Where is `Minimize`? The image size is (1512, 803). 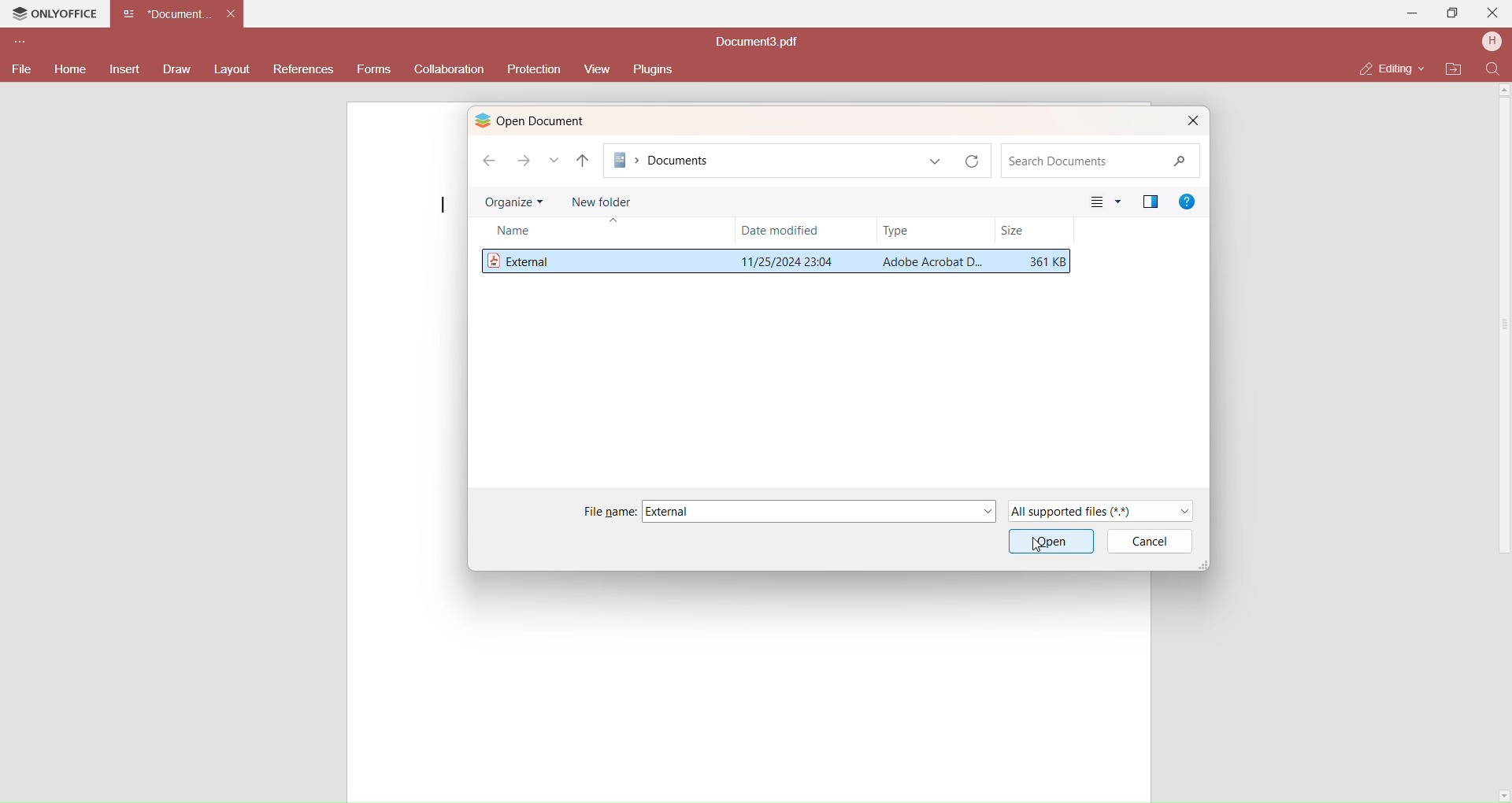
Minimize is located at coordinates (1413, 13).